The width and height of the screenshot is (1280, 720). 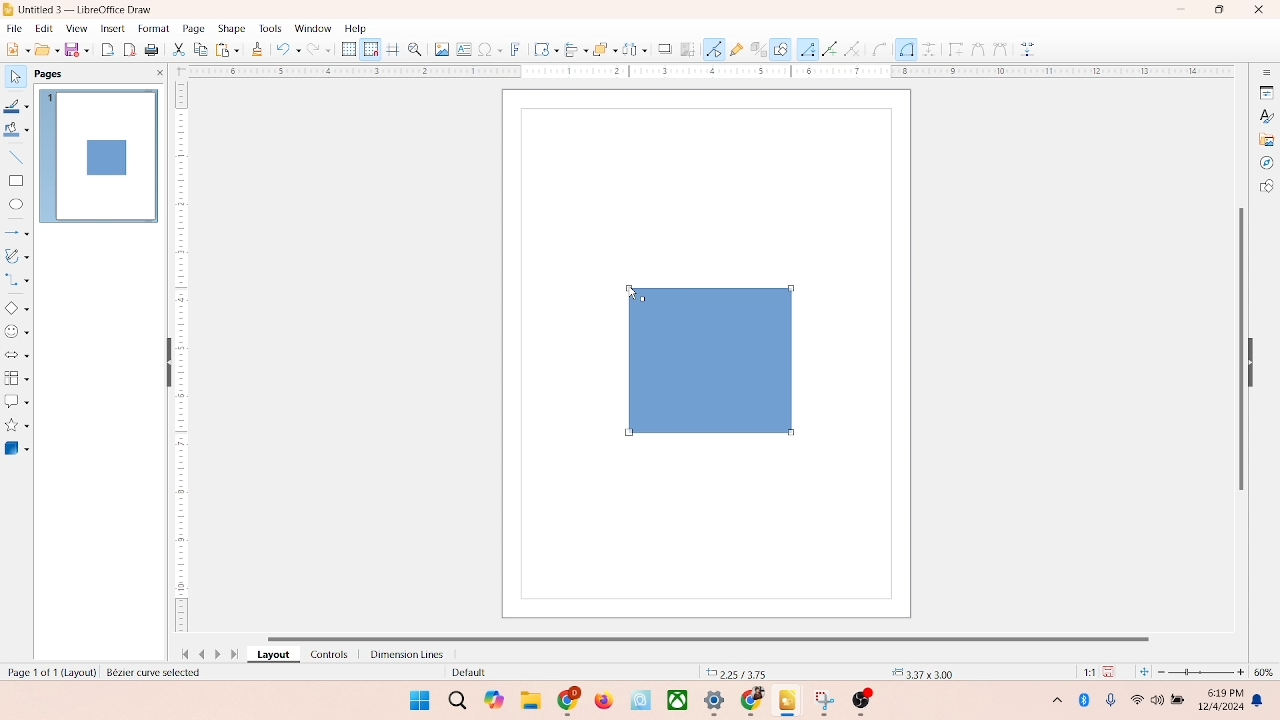 What do you see at coordinates (17, 232) in the screenshot?
I see `lines and arrows` at bounding box center [17, 232].